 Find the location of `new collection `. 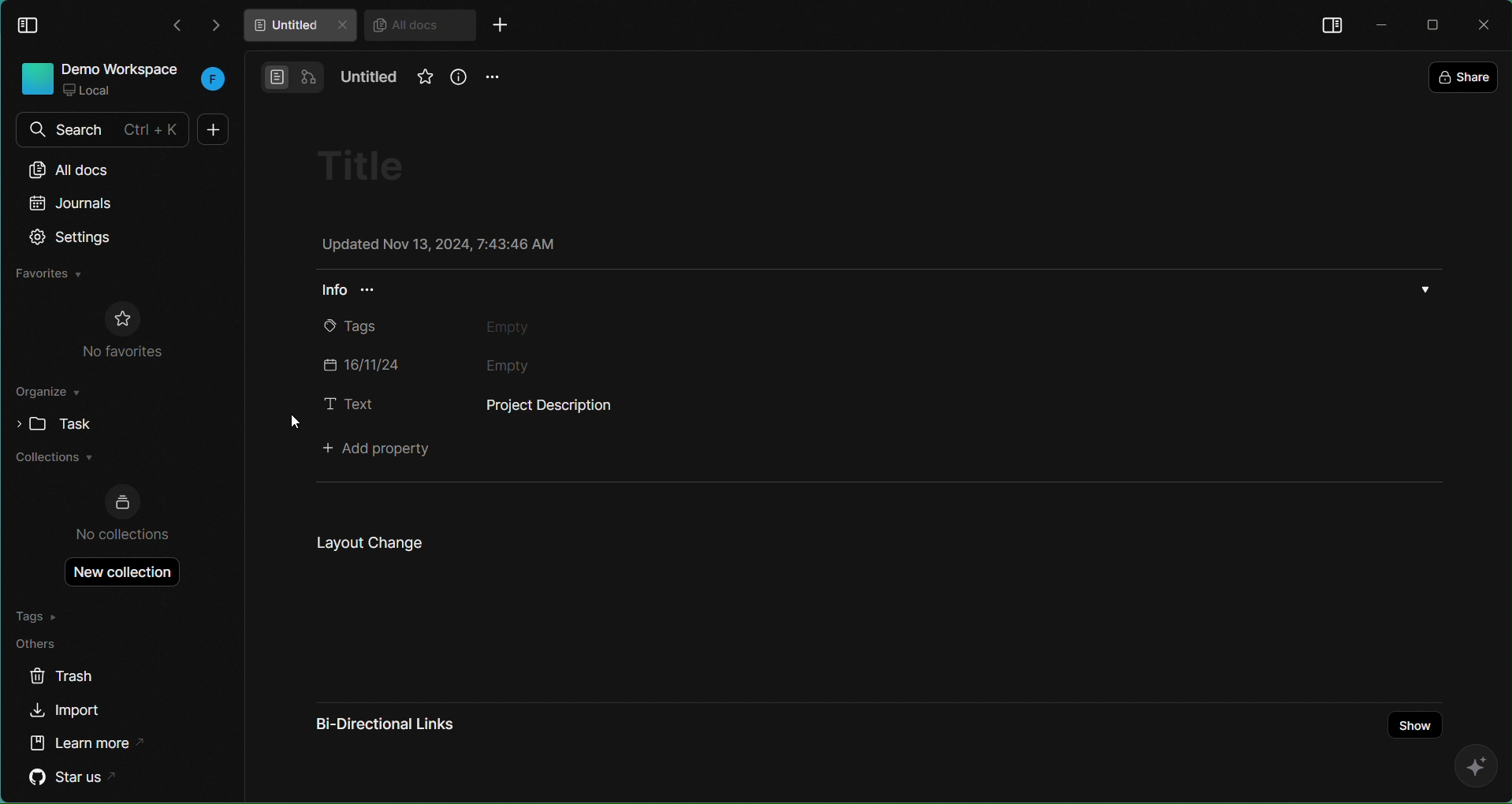

new collection  is located at coordinates (115, 572).